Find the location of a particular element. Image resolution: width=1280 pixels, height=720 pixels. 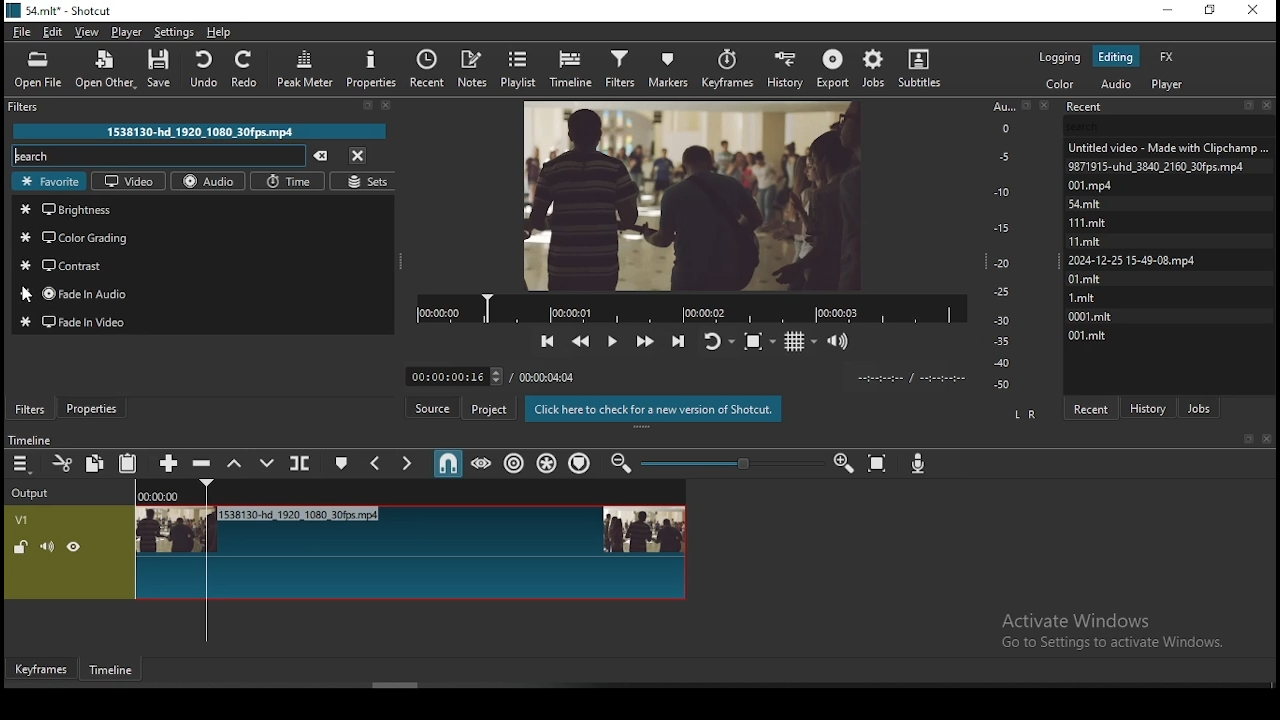

project is located at coordinates (489, 409).